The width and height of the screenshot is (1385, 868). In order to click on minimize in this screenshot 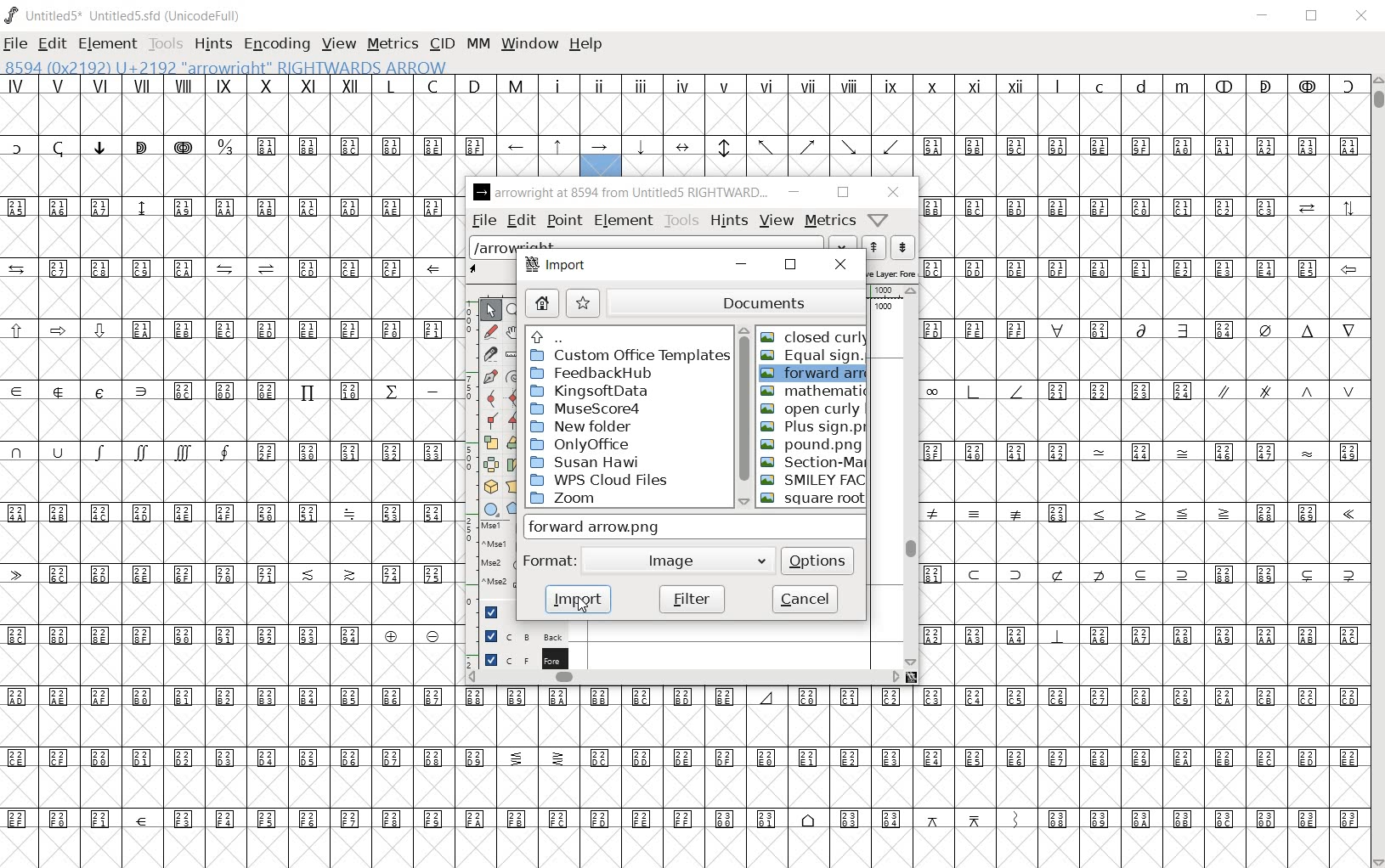, I will do `click(740, 265)`.